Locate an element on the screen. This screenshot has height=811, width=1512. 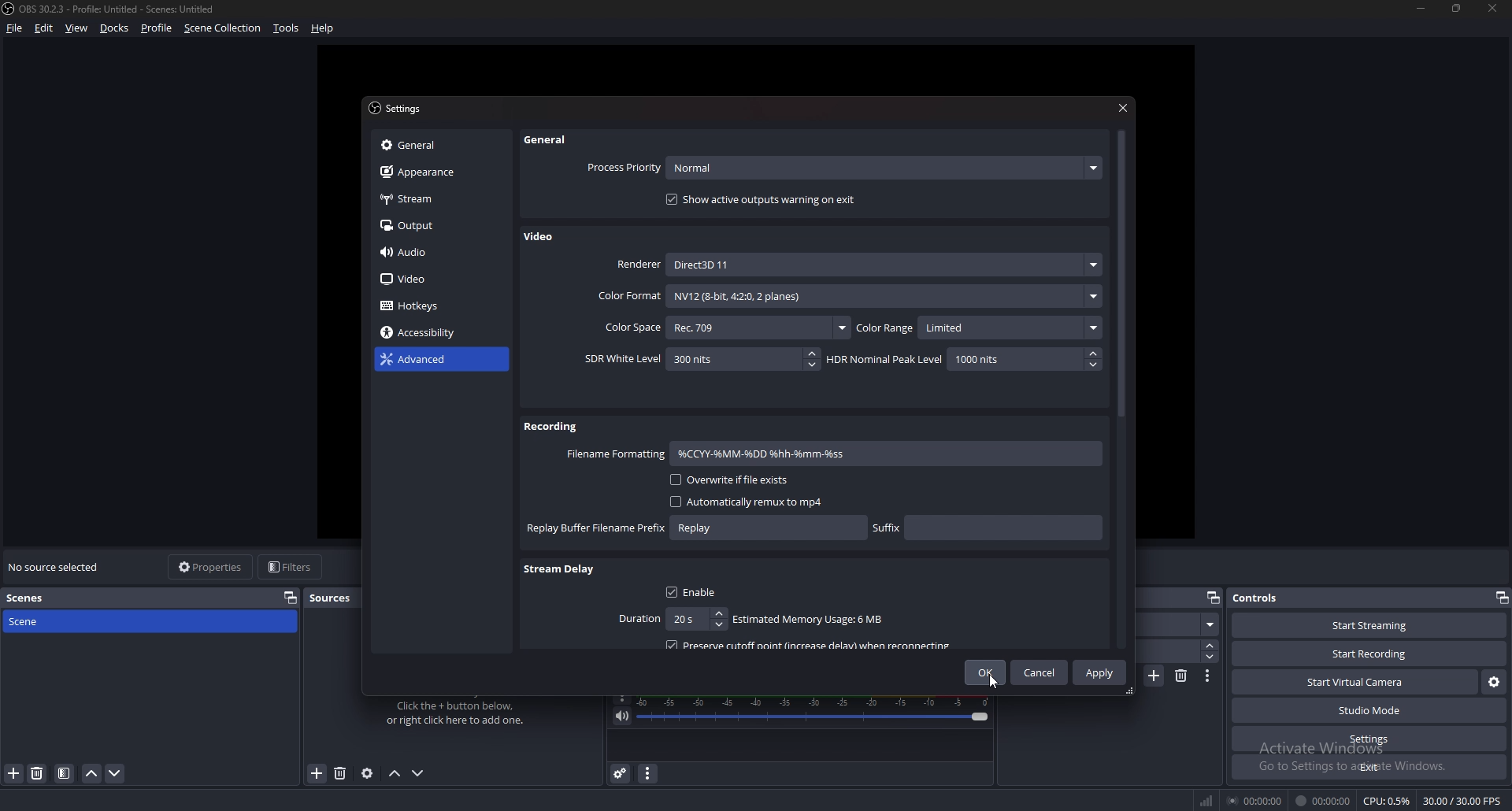
start virtual camera is located at coordinates (1356, 683).